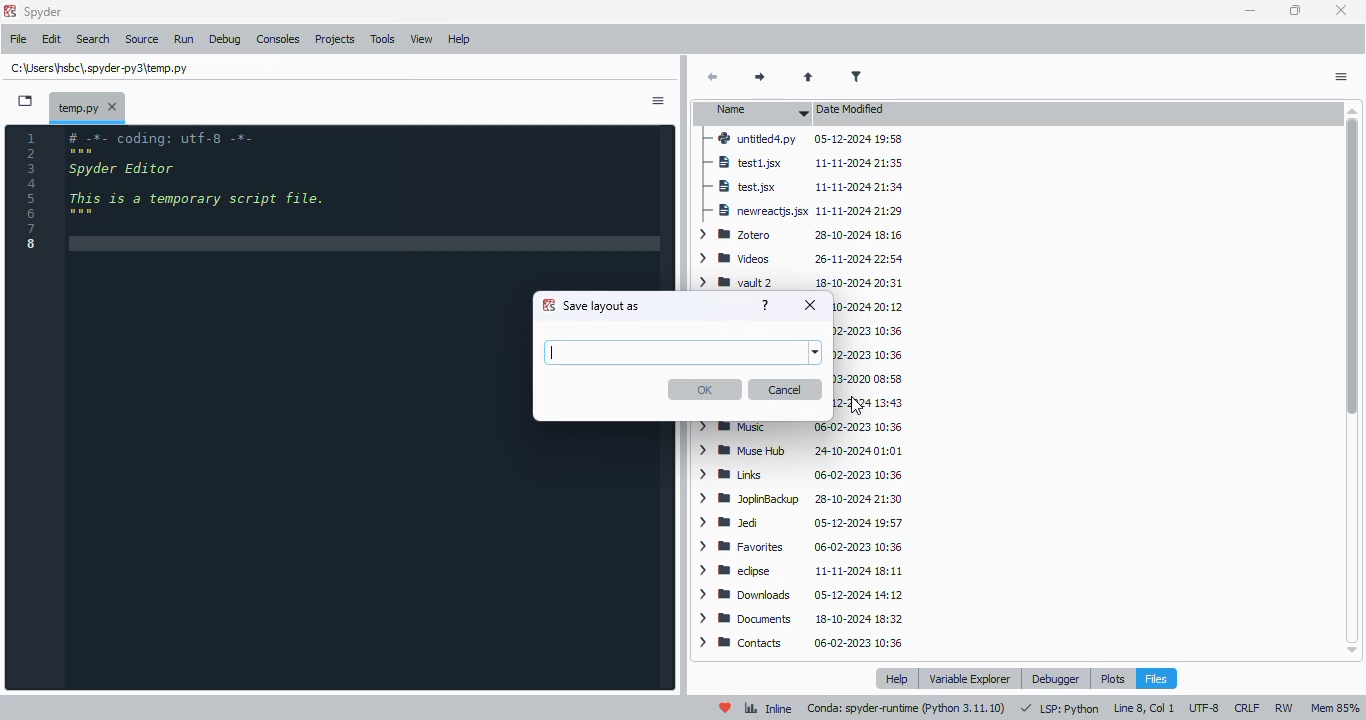  Describe the element at coordinates (806, 209) in the screenshot. I see `newreactjs.jsx` at that location.